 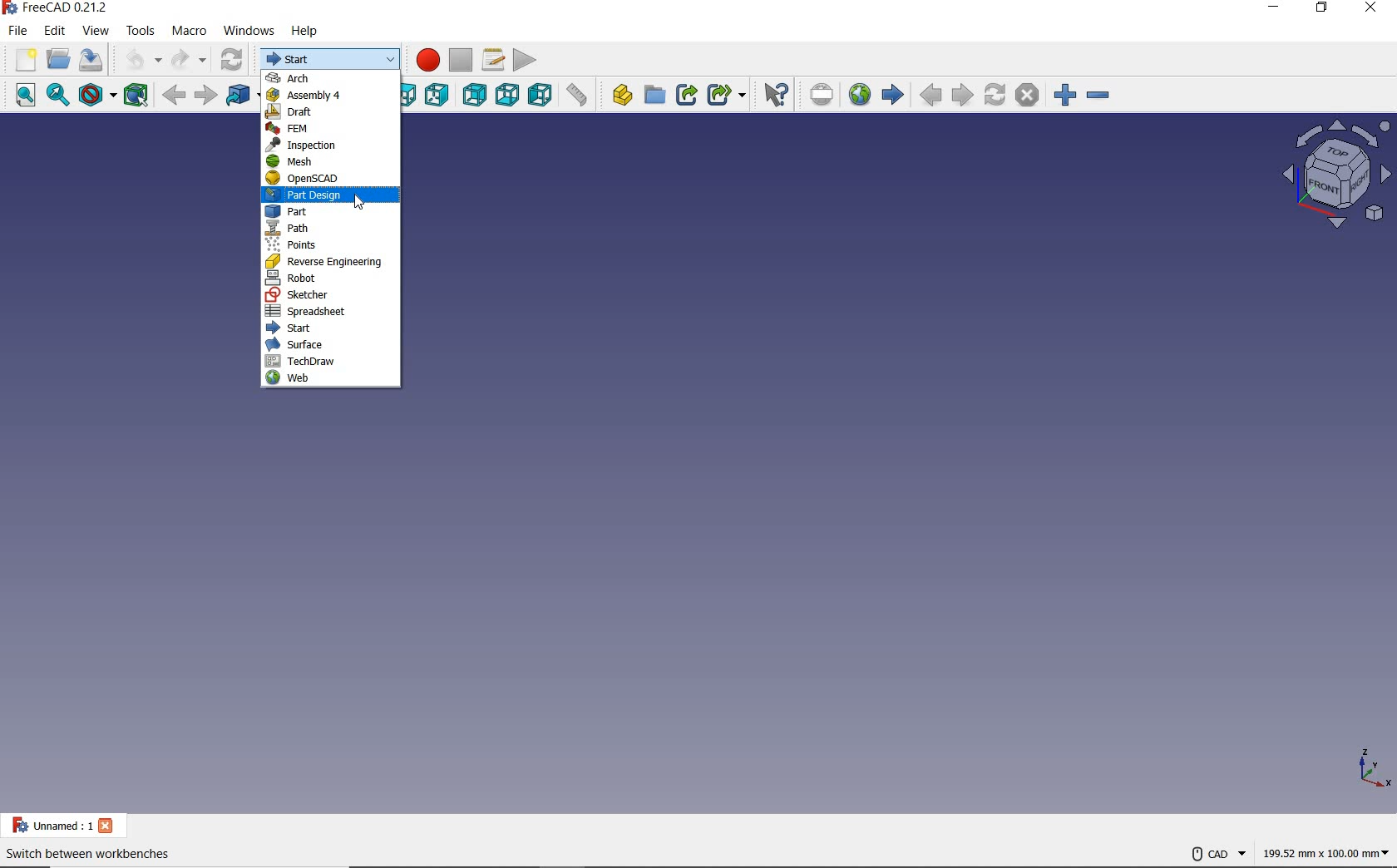 I want to click on ARC, so click(x=329, y=77).